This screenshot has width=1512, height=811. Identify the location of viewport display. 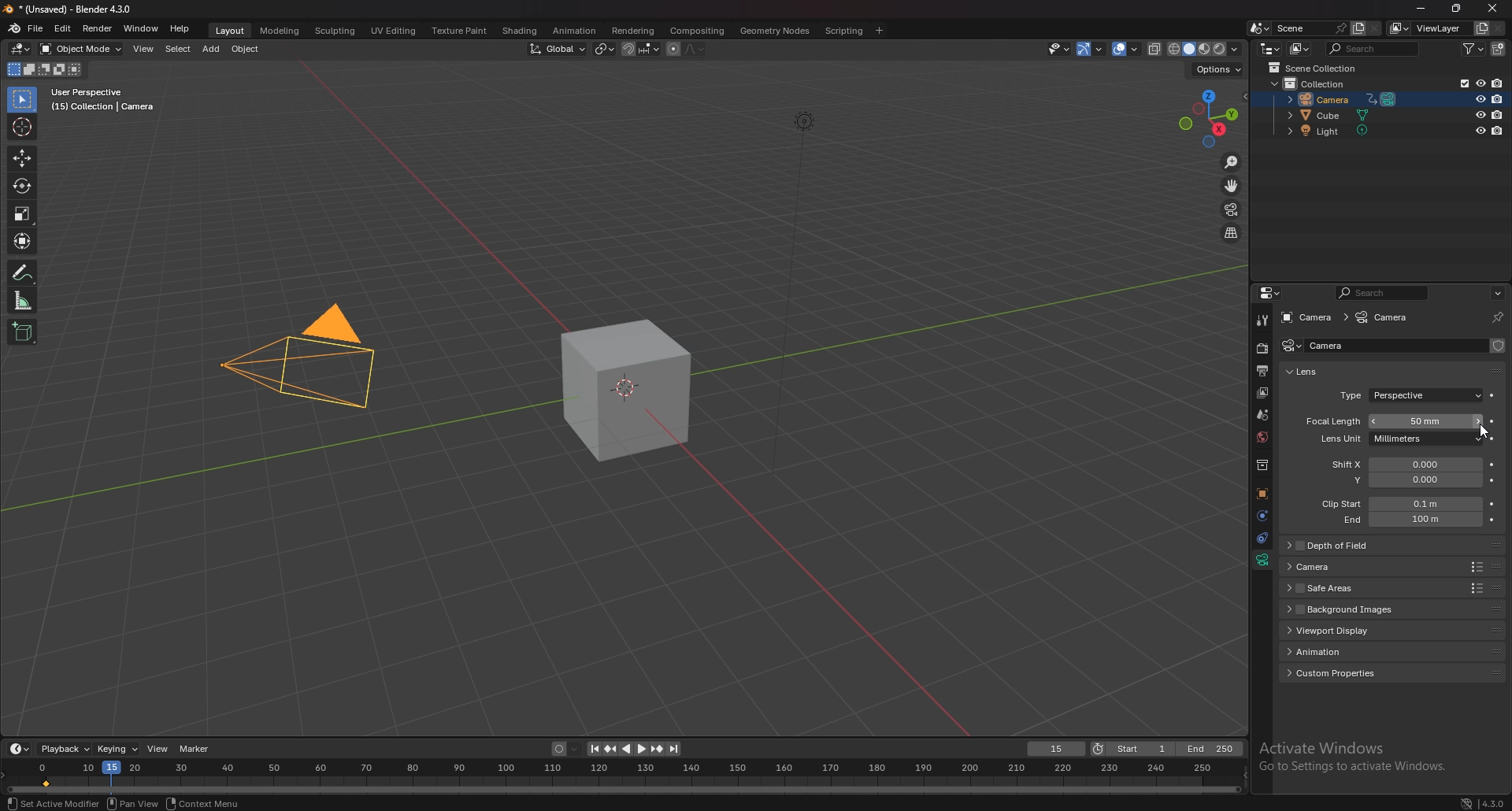
(1356, 630).